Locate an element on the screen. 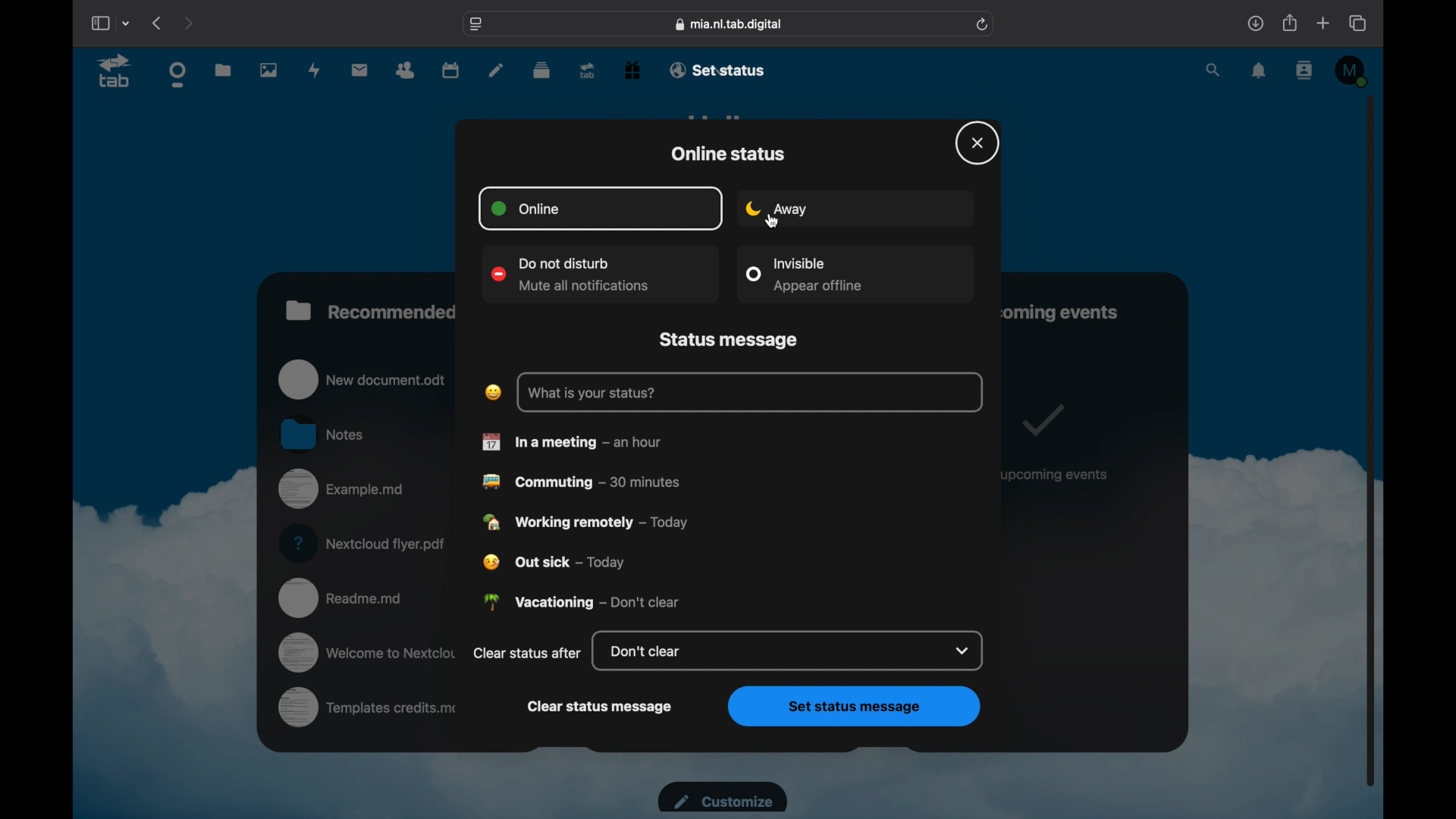  commuting is located at coordinates (581, 482).